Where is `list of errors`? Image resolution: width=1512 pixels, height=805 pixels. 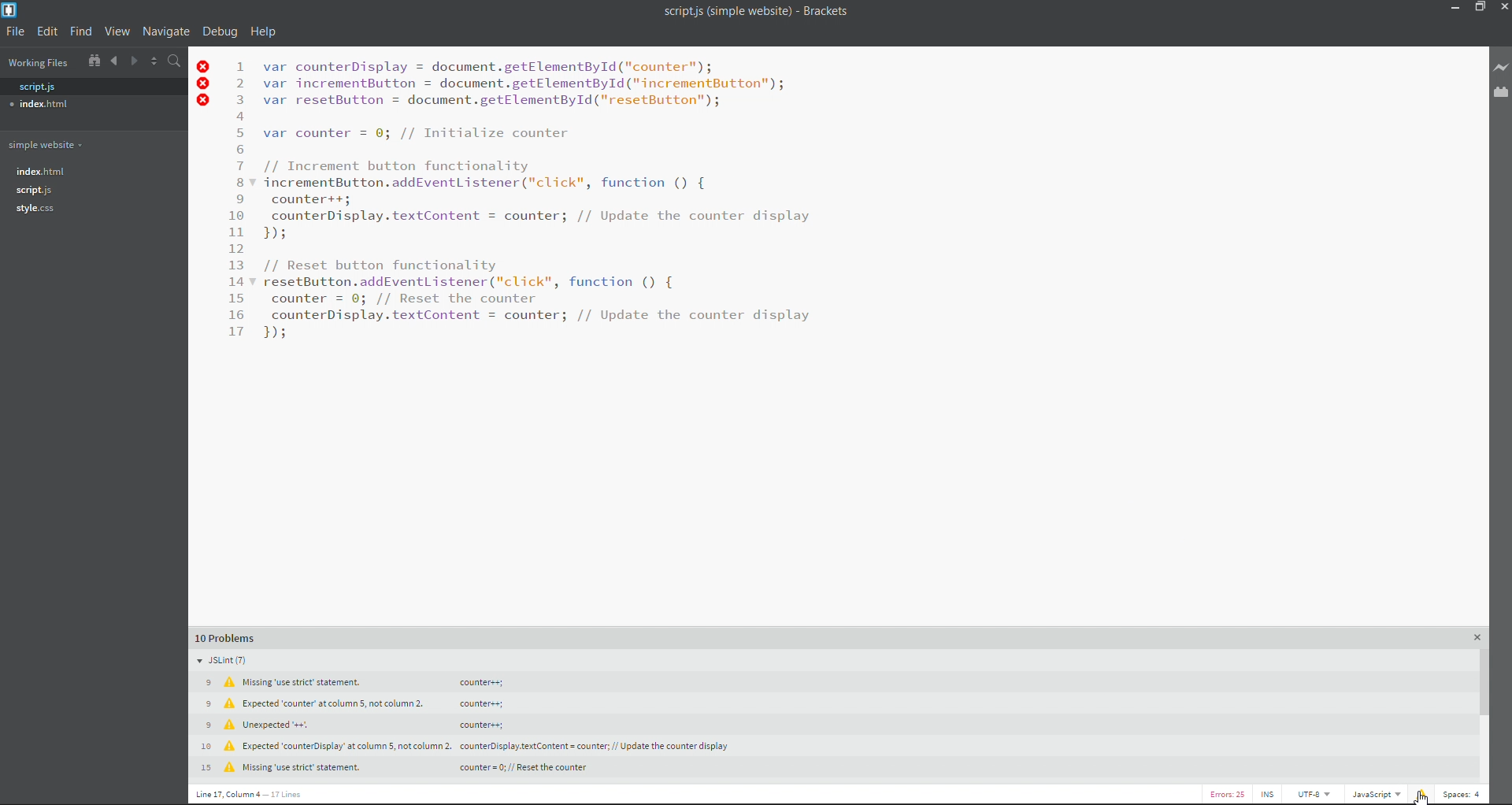 list of errors is located at coordinates (512, 725).